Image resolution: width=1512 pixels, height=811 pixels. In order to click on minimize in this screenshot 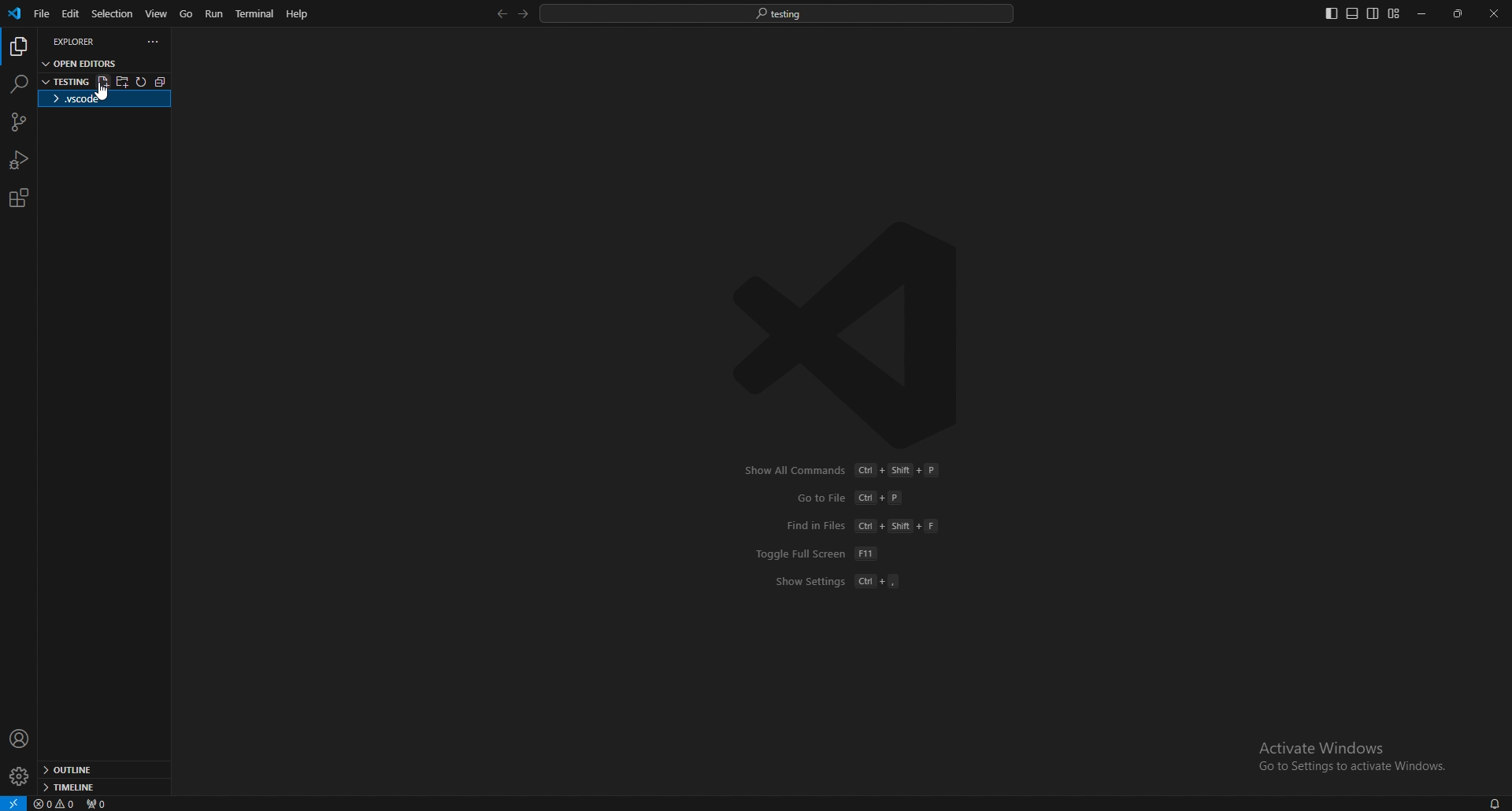, I will do `click(1423, 14)`.